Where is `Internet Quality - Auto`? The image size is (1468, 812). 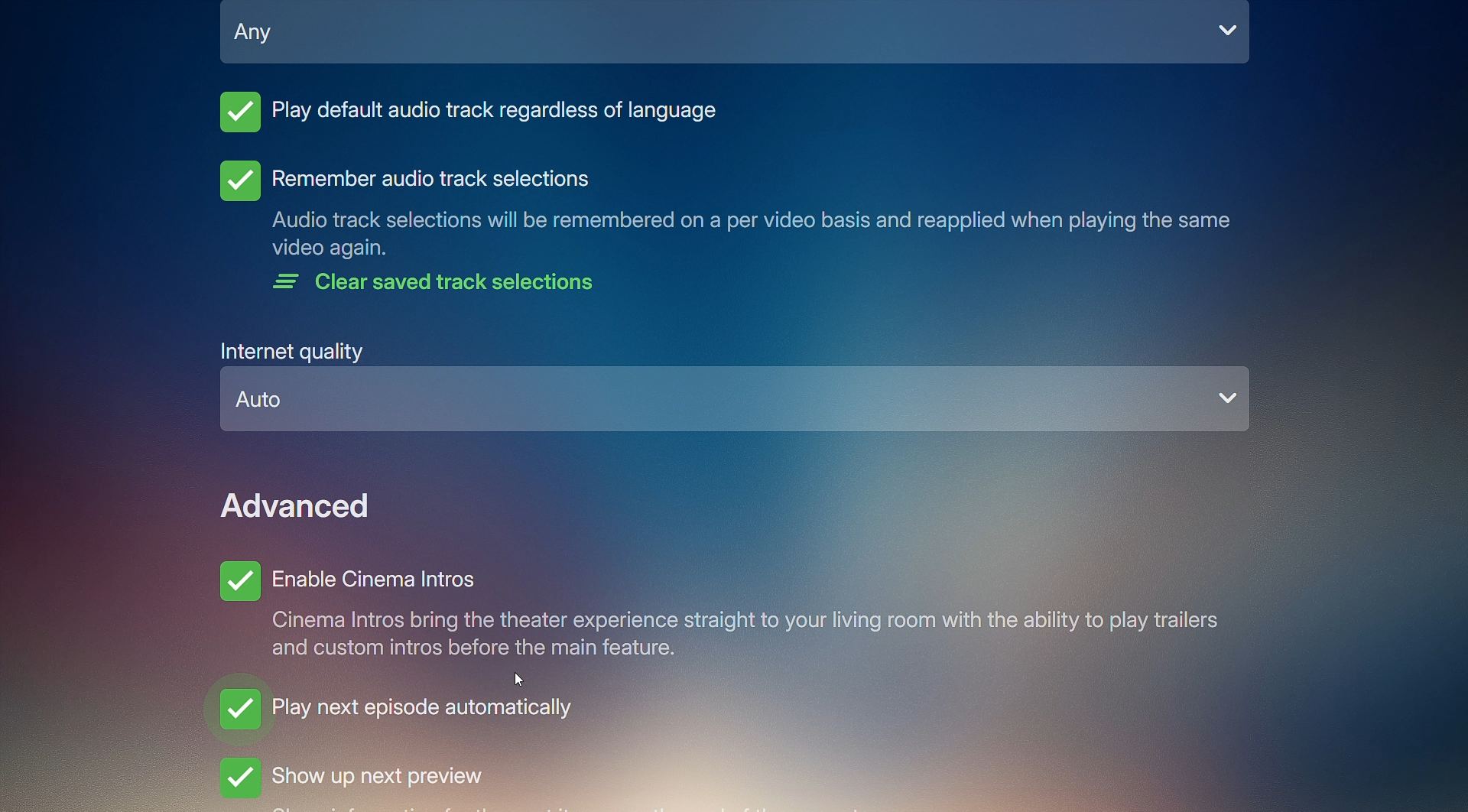
Internet Quality - Auto is located at coordinates (737, 389).